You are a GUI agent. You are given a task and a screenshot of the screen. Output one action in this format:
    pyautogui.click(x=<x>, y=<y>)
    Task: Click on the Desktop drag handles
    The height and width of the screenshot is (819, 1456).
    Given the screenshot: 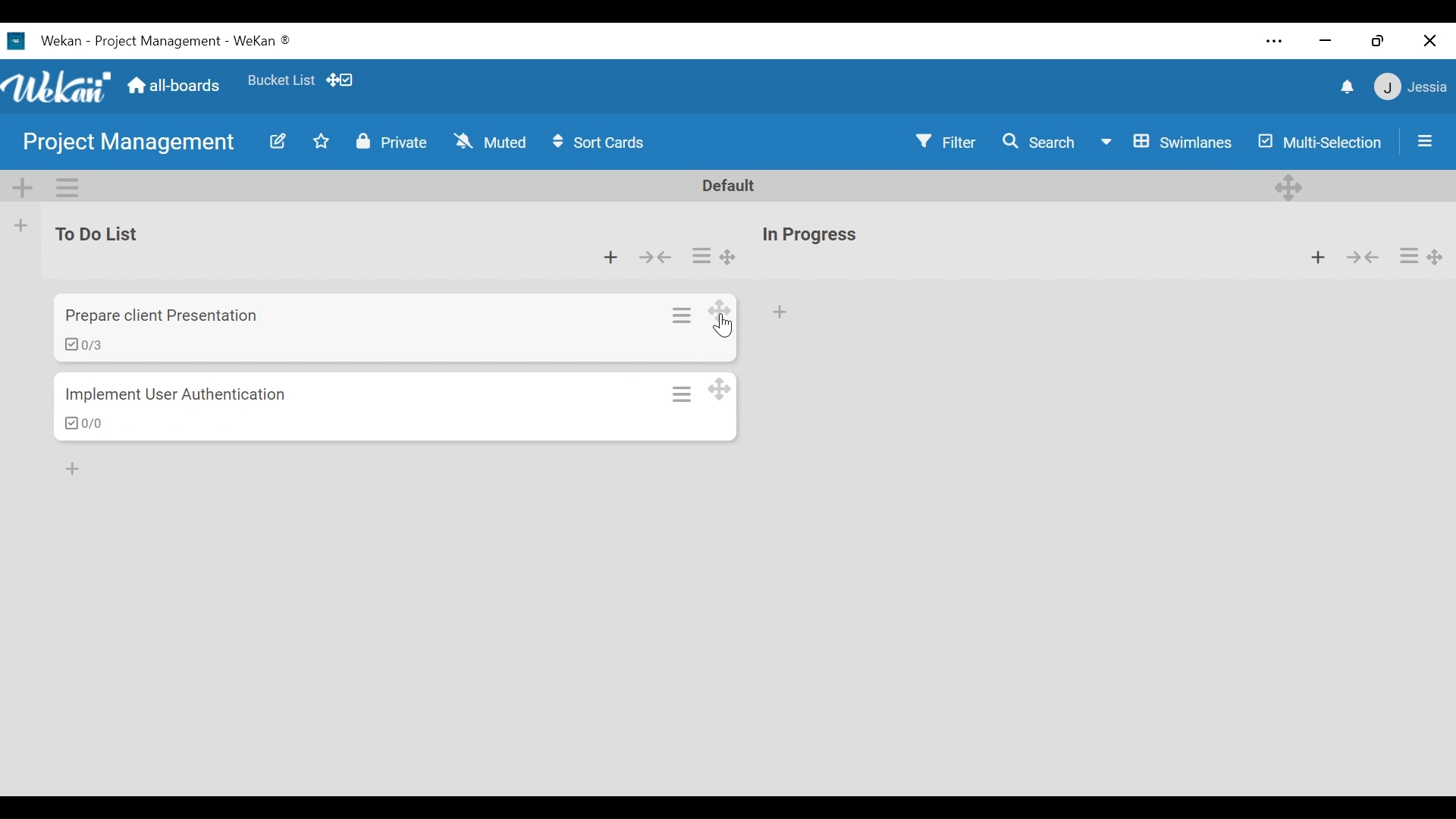 What is the action you would take?
    pyautogui.click(x=1436, y=256)
    